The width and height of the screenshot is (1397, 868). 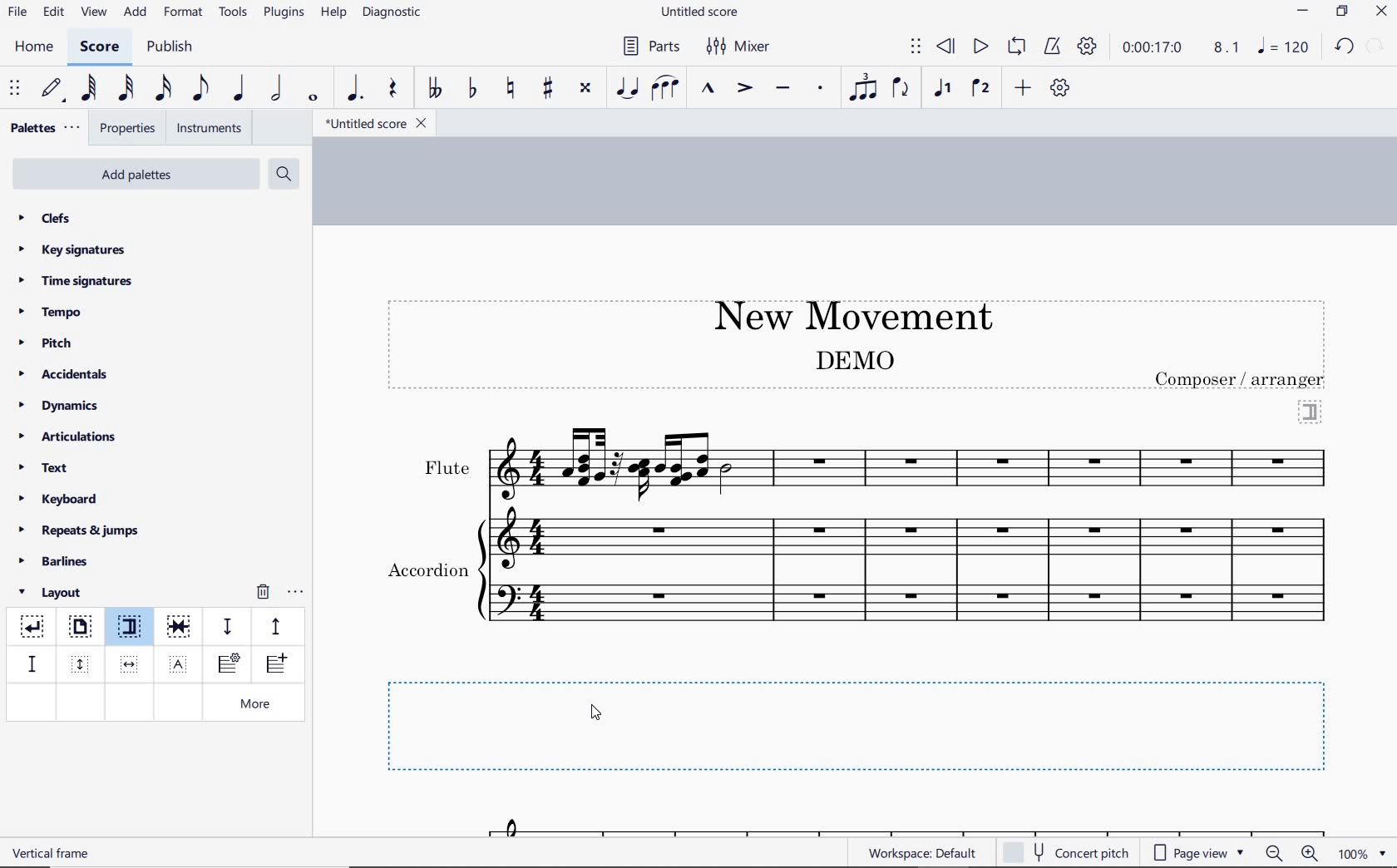 I want to click on voice 2, so click(x=981, y=89).